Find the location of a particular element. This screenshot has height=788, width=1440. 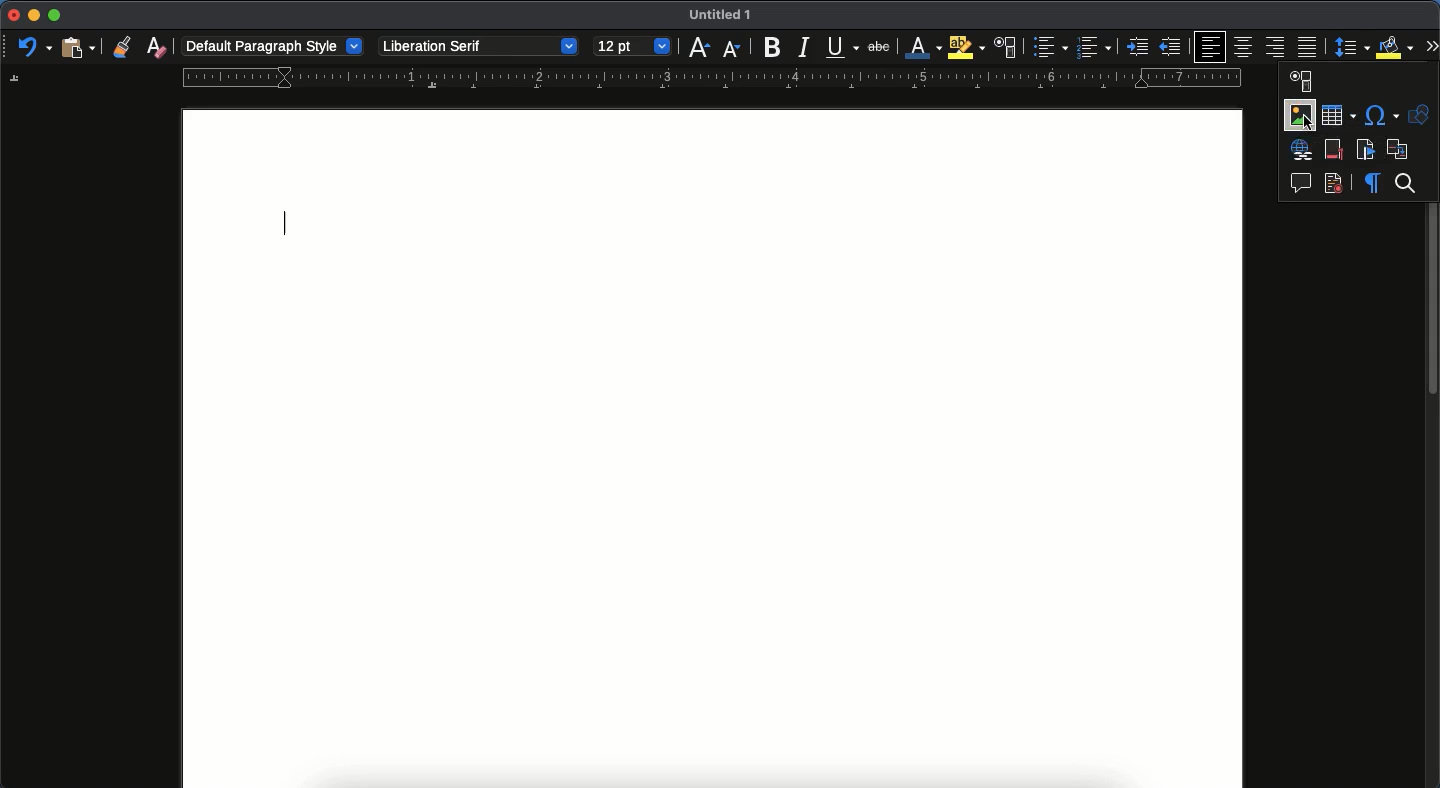

bullet is located at coordinates (1048, 47).